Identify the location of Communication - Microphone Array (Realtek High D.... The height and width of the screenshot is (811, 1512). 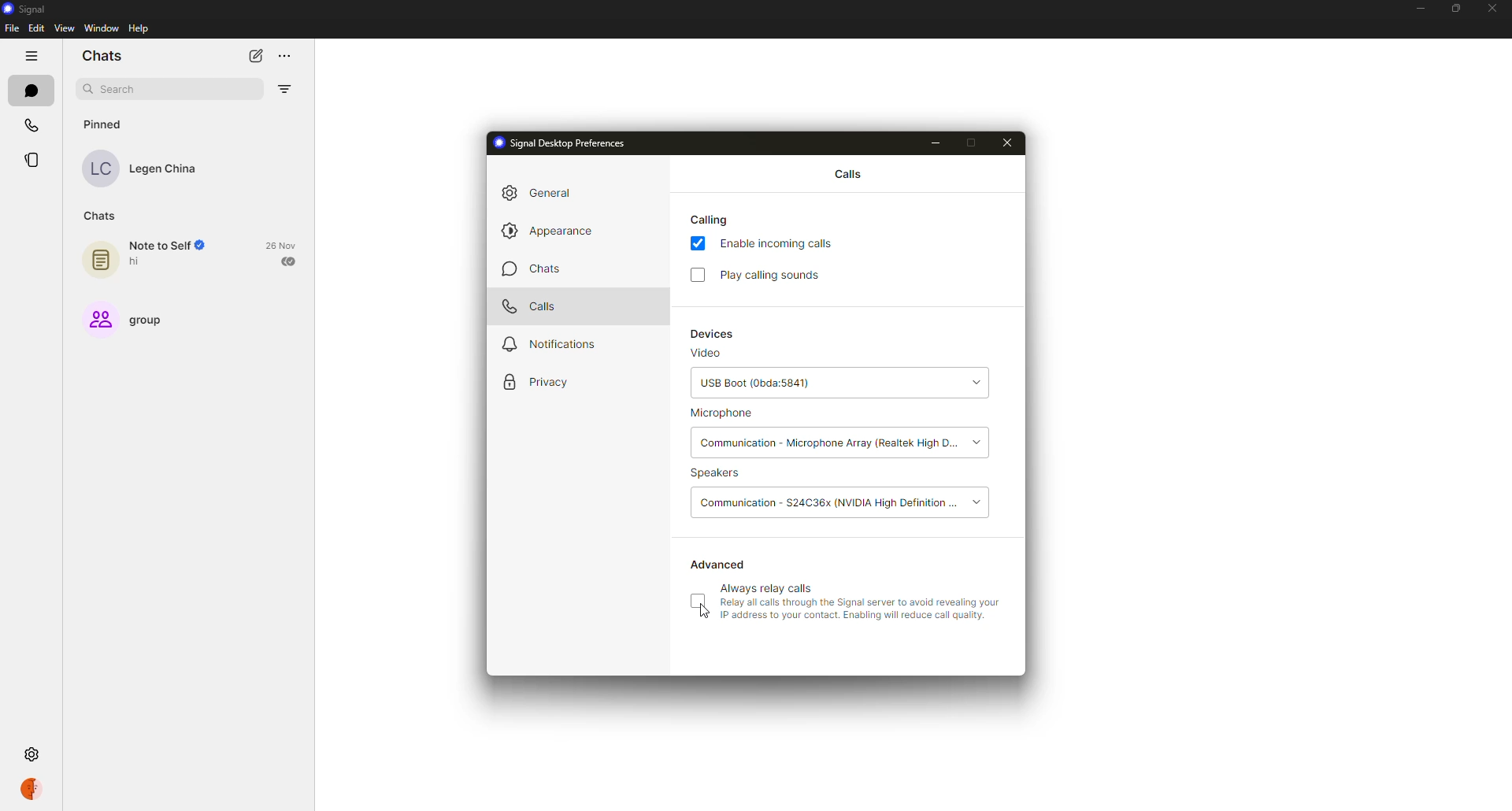
(828, 443).